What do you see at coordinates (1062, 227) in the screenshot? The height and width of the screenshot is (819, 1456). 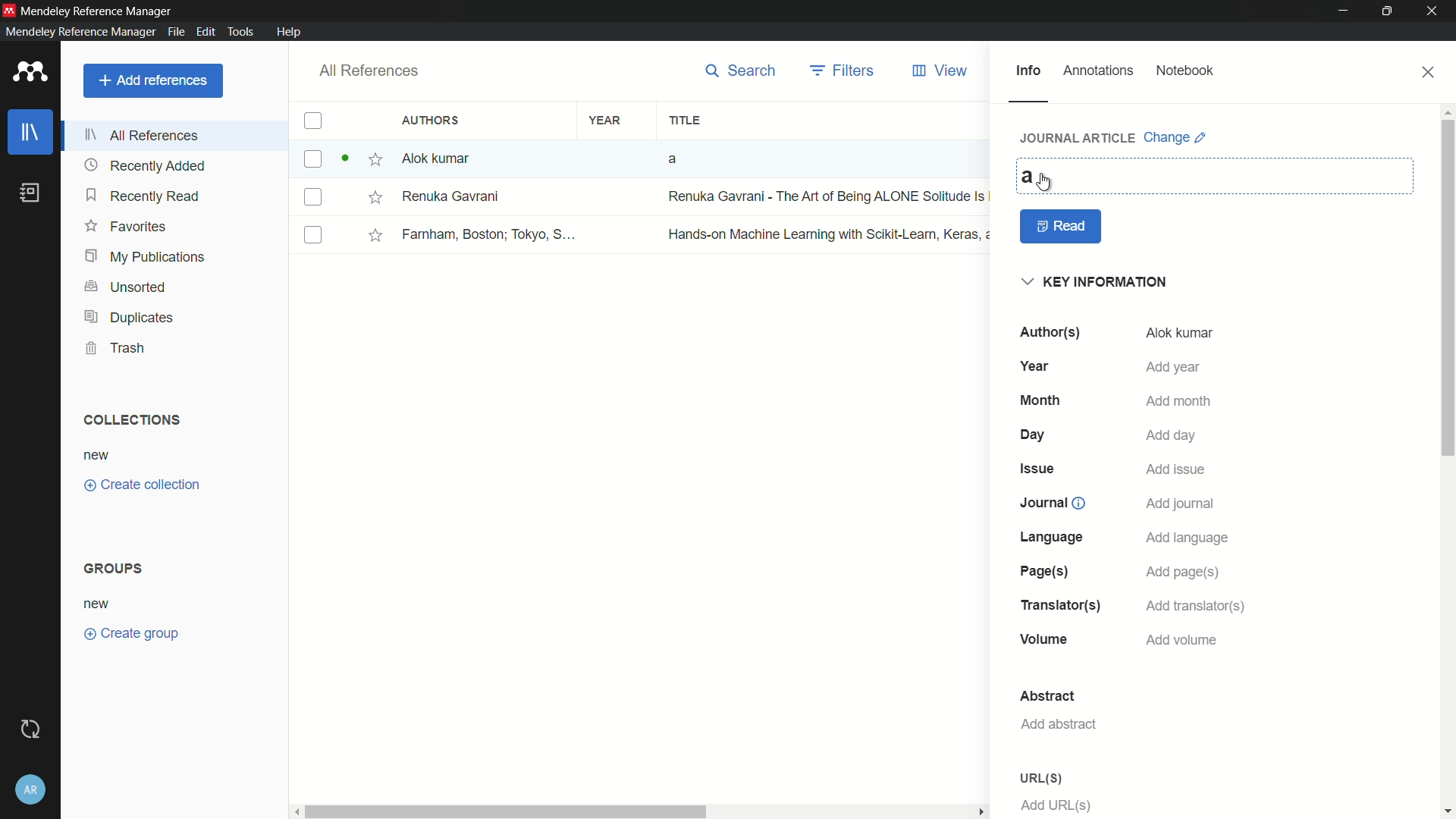 I see `read` at bounding box center [1062, 227].